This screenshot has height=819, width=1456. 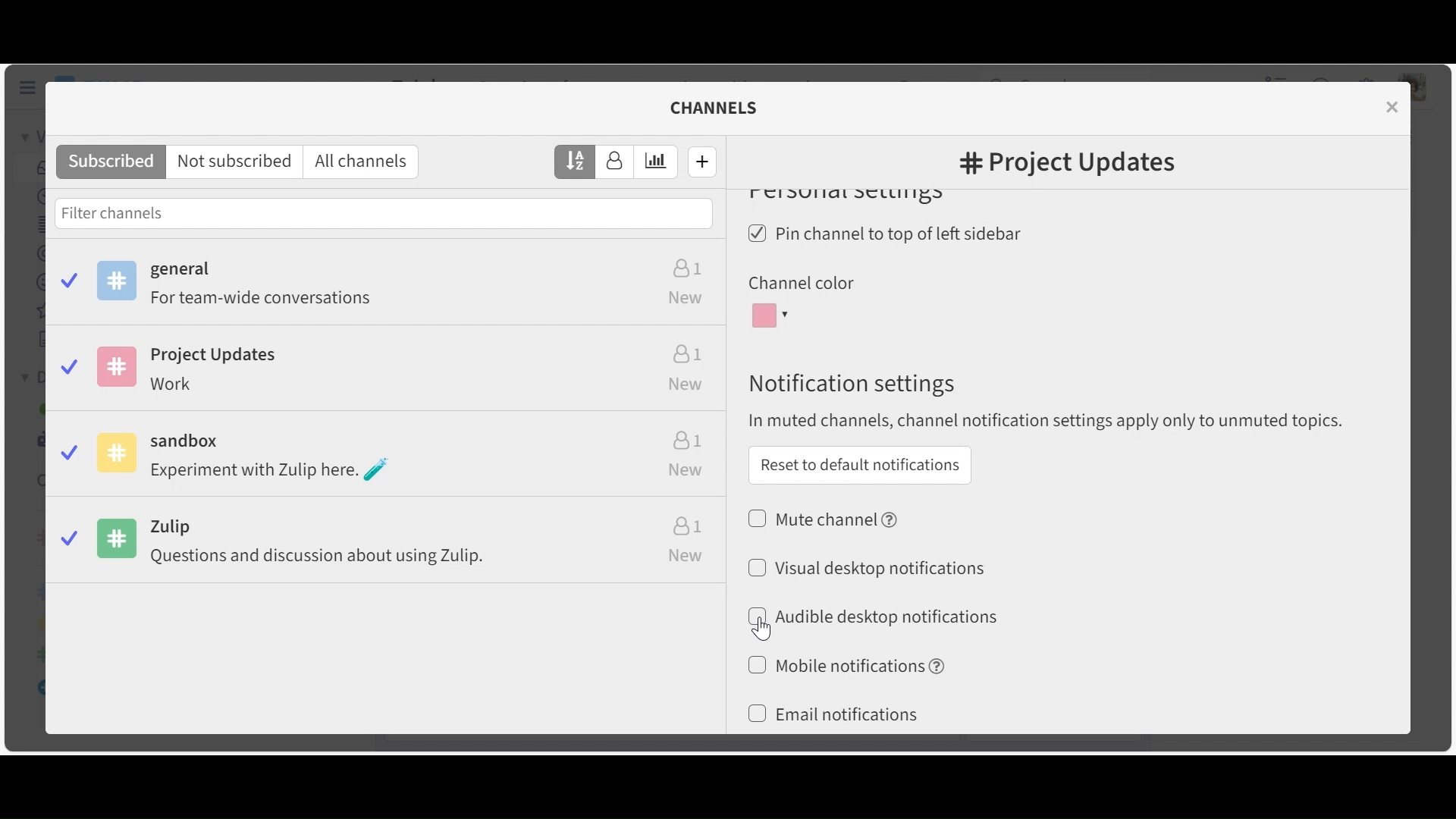 I want to click on Sort by name, so click(x=576, y=161).